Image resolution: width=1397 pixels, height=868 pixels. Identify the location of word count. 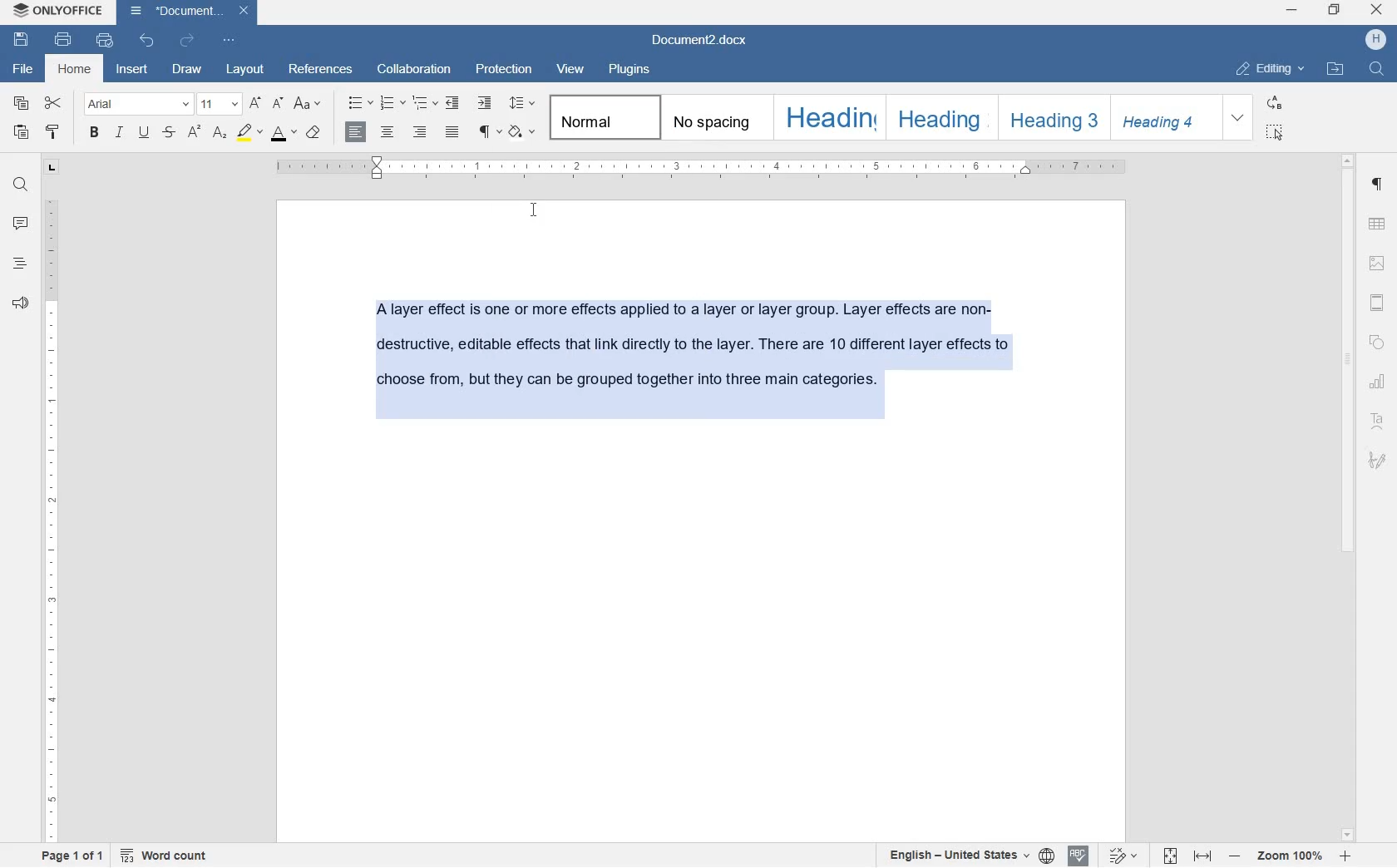
(164, 856).